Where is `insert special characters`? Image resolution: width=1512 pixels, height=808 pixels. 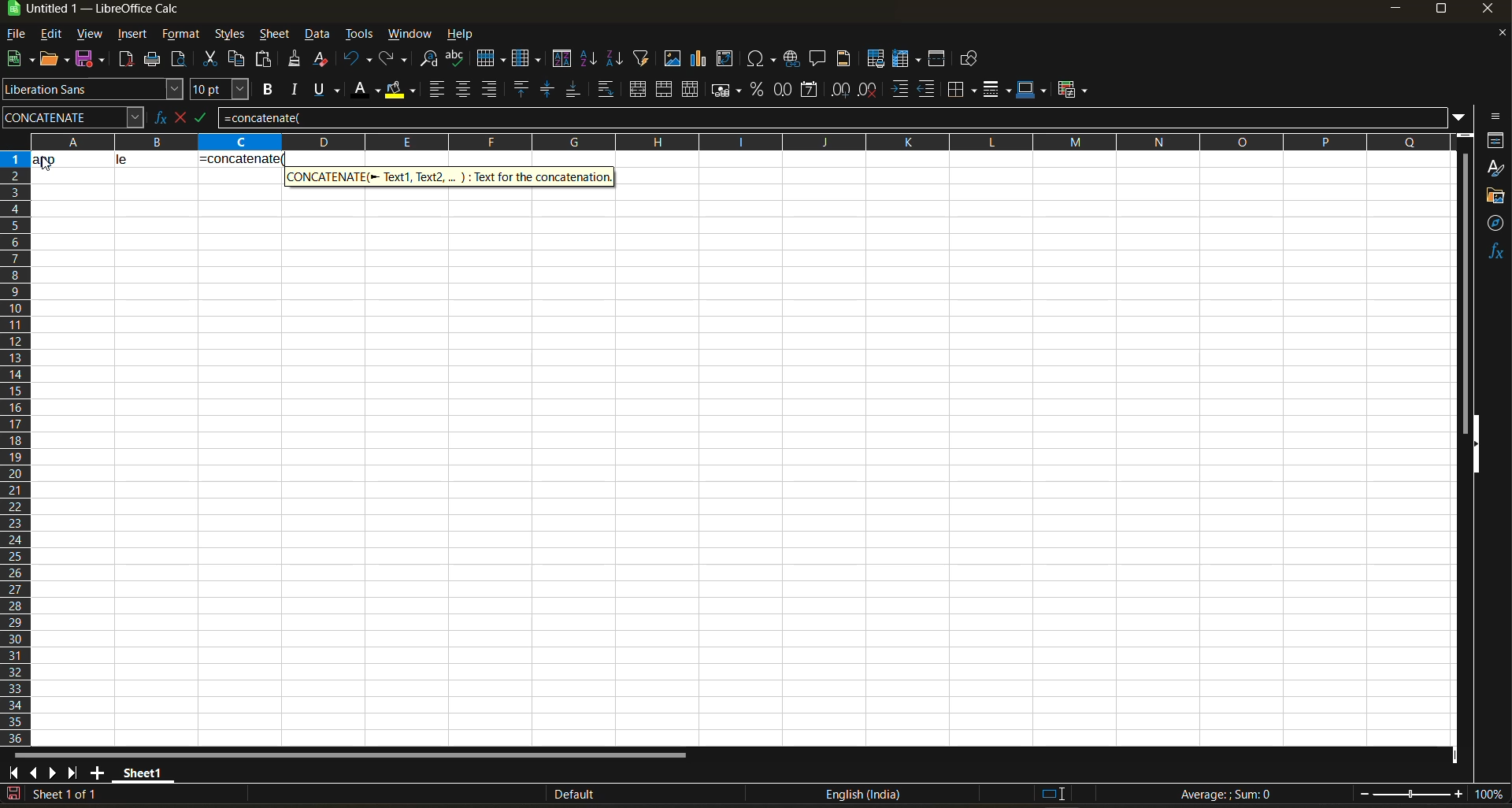 insert special characters is located at coordinates (765, 60).